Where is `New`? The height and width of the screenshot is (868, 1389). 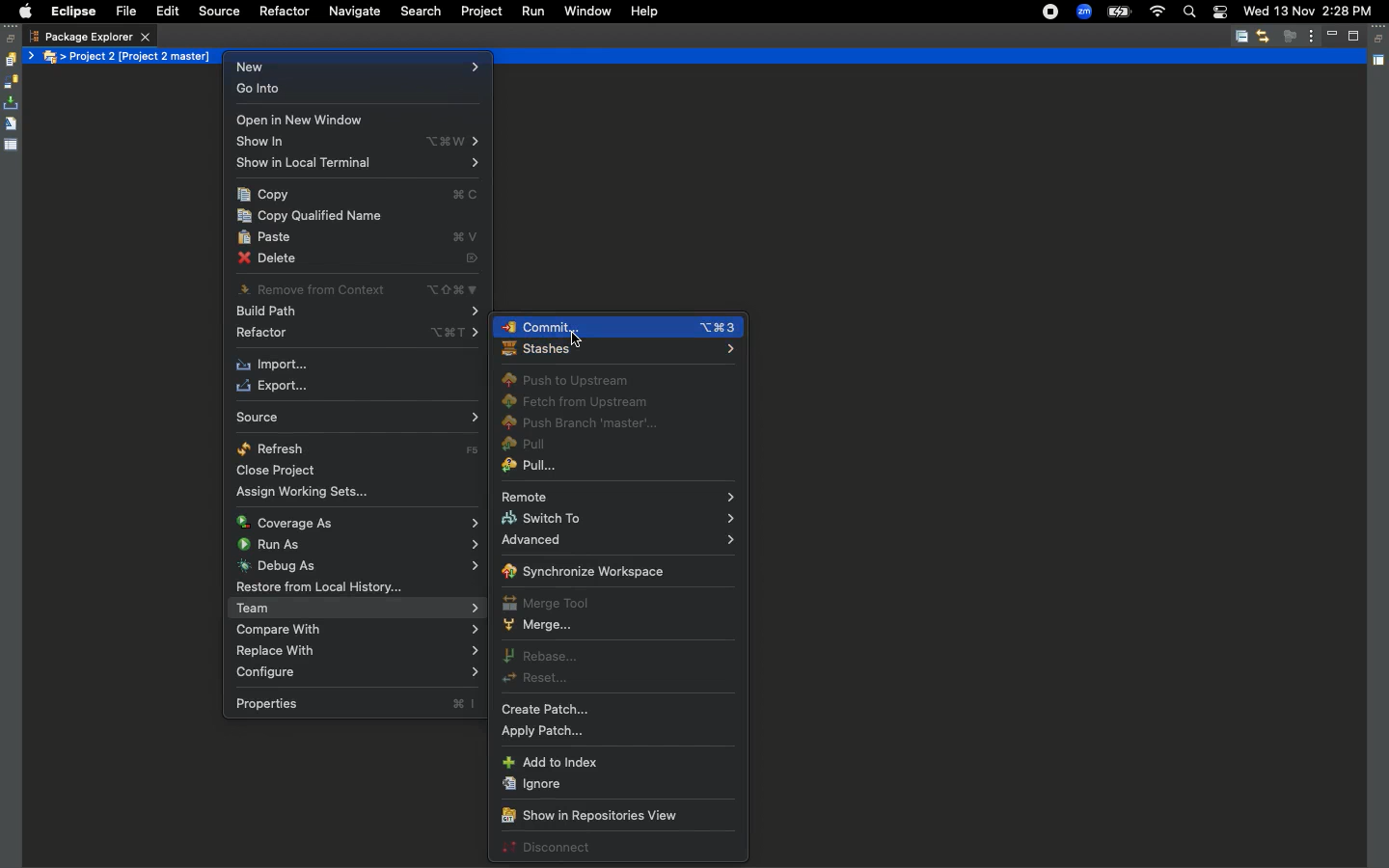
New is located at coordinates (357, 68).